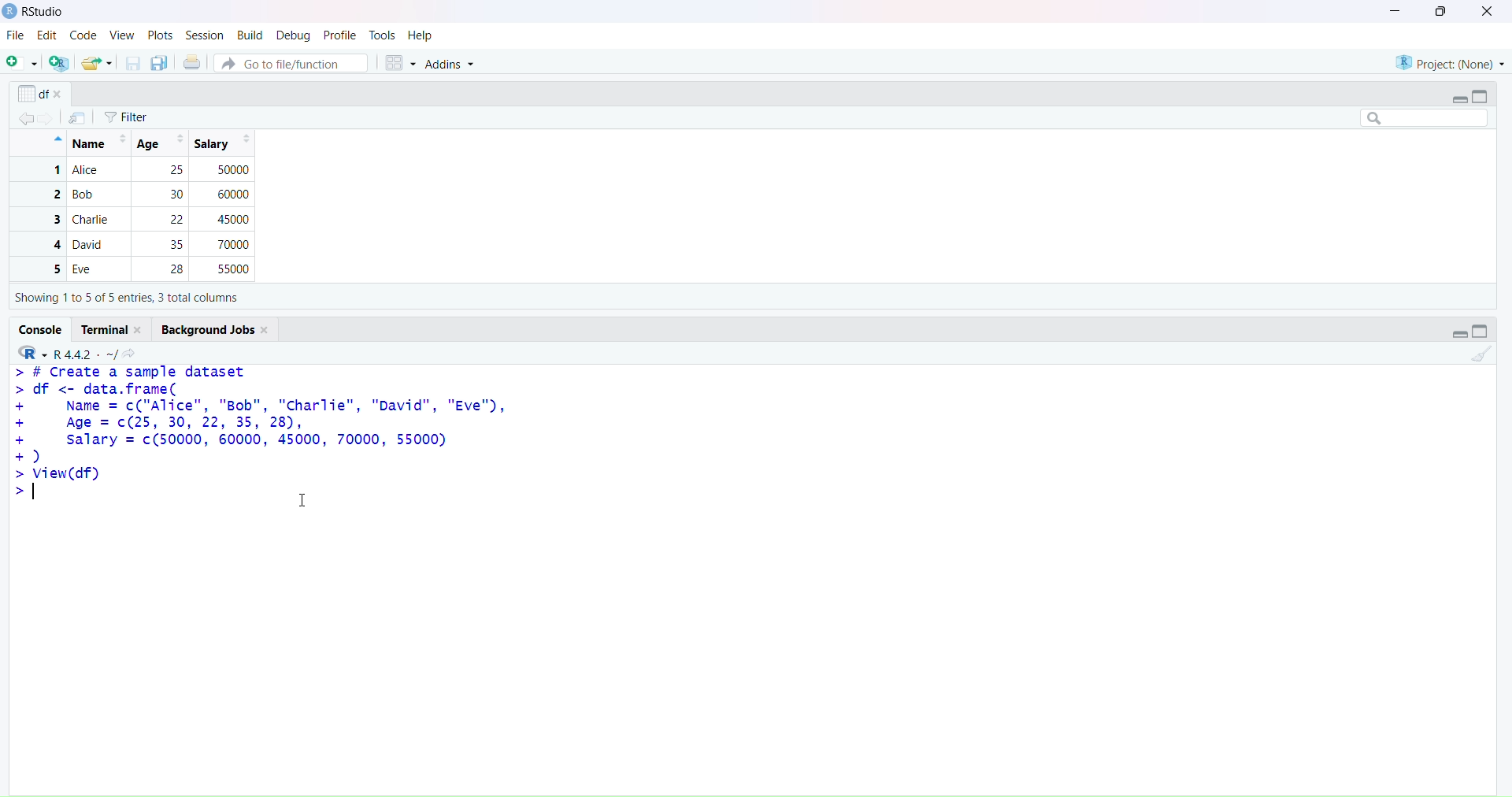  What do you see at coordinates (1388, 10) in the screenshot?
I see `minimize` at bounding box center [1388, 10].